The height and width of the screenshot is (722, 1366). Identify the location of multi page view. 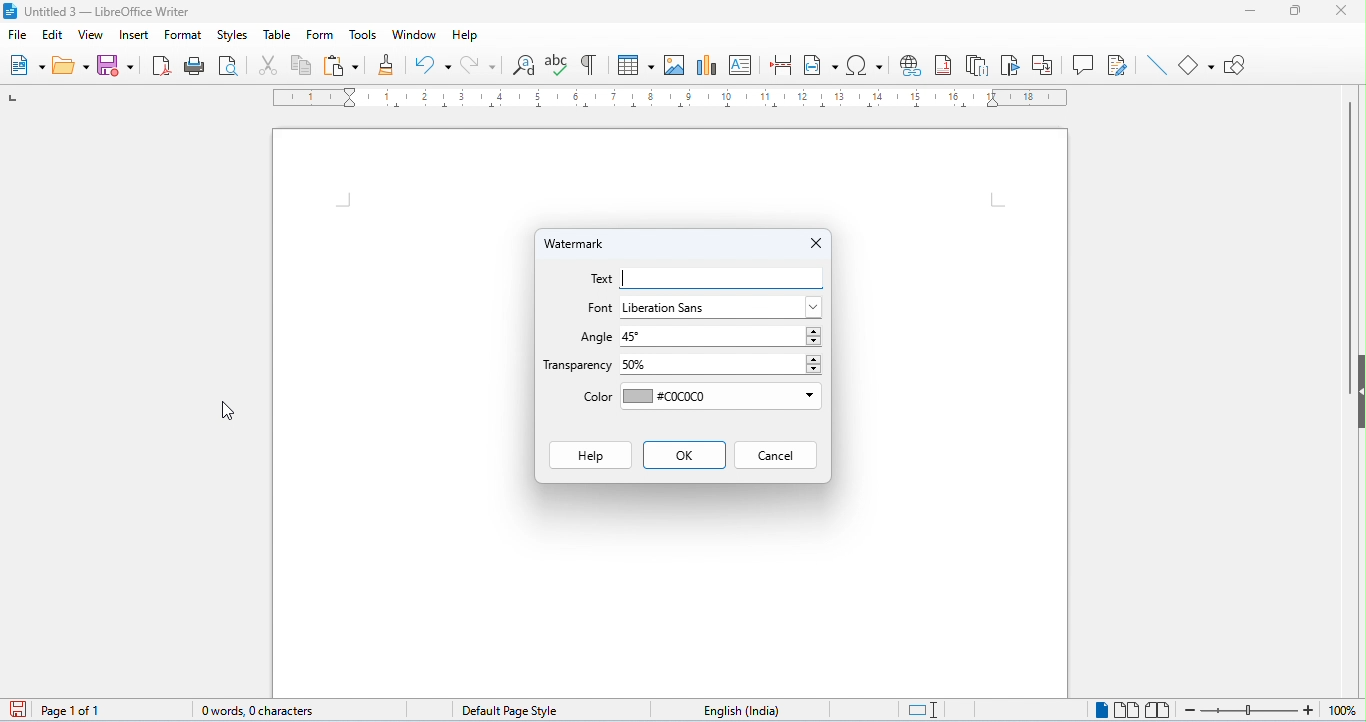
(1130, 710).